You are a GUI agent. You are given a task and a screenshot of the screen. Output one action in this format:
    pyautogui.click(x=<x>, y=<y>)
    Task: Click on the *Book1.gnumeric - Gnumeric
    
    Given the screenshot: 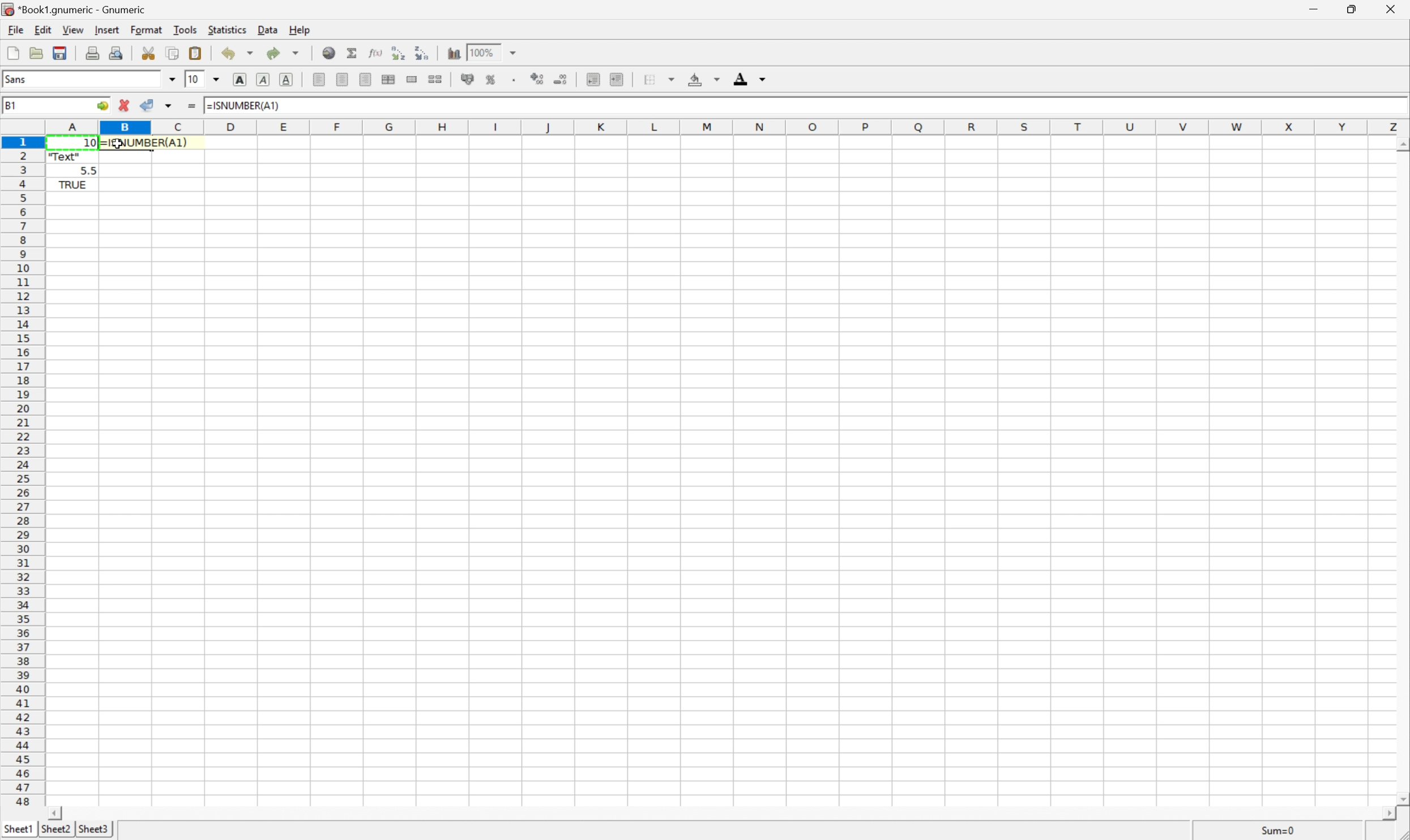 What is the action you would take?
    pyautogui.click(x=77, y=8)
    